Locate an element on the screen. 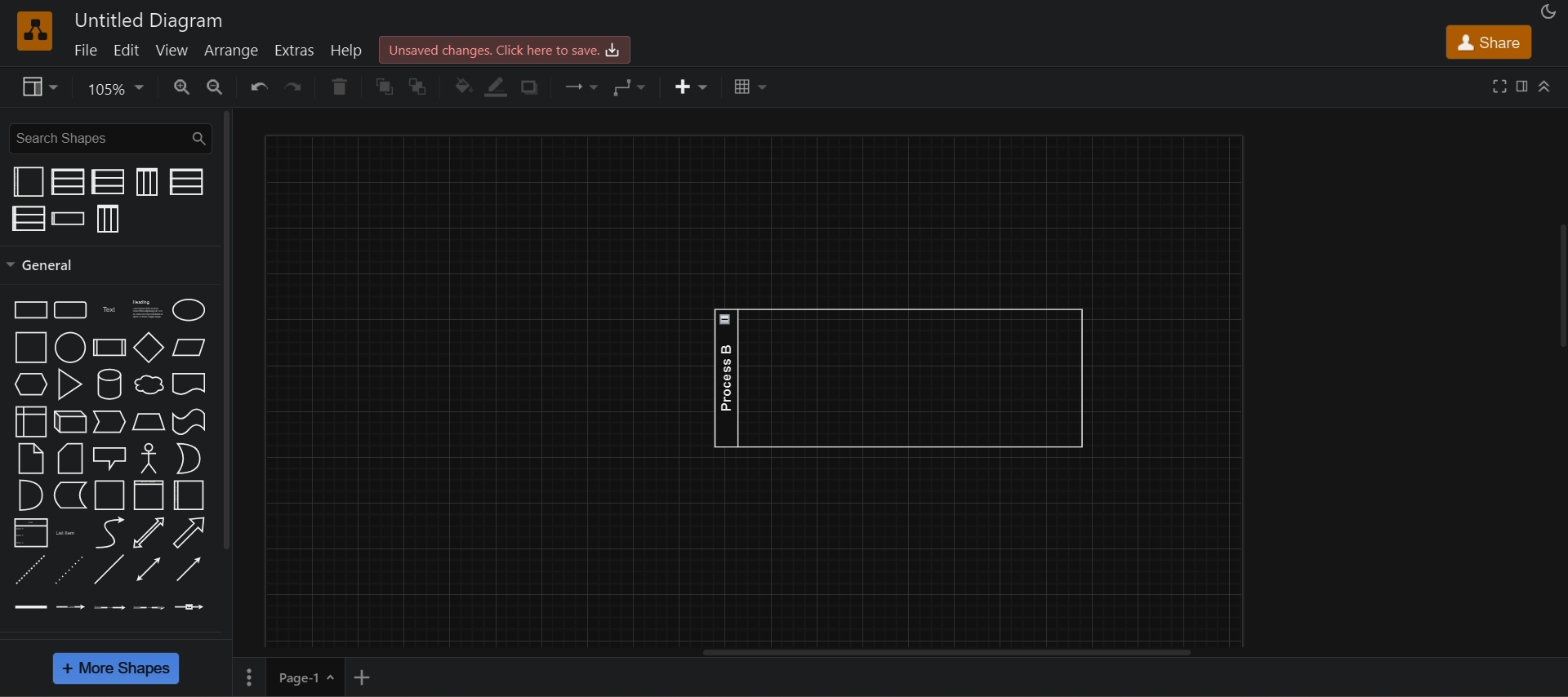  options is located at coordinates (247, 677).